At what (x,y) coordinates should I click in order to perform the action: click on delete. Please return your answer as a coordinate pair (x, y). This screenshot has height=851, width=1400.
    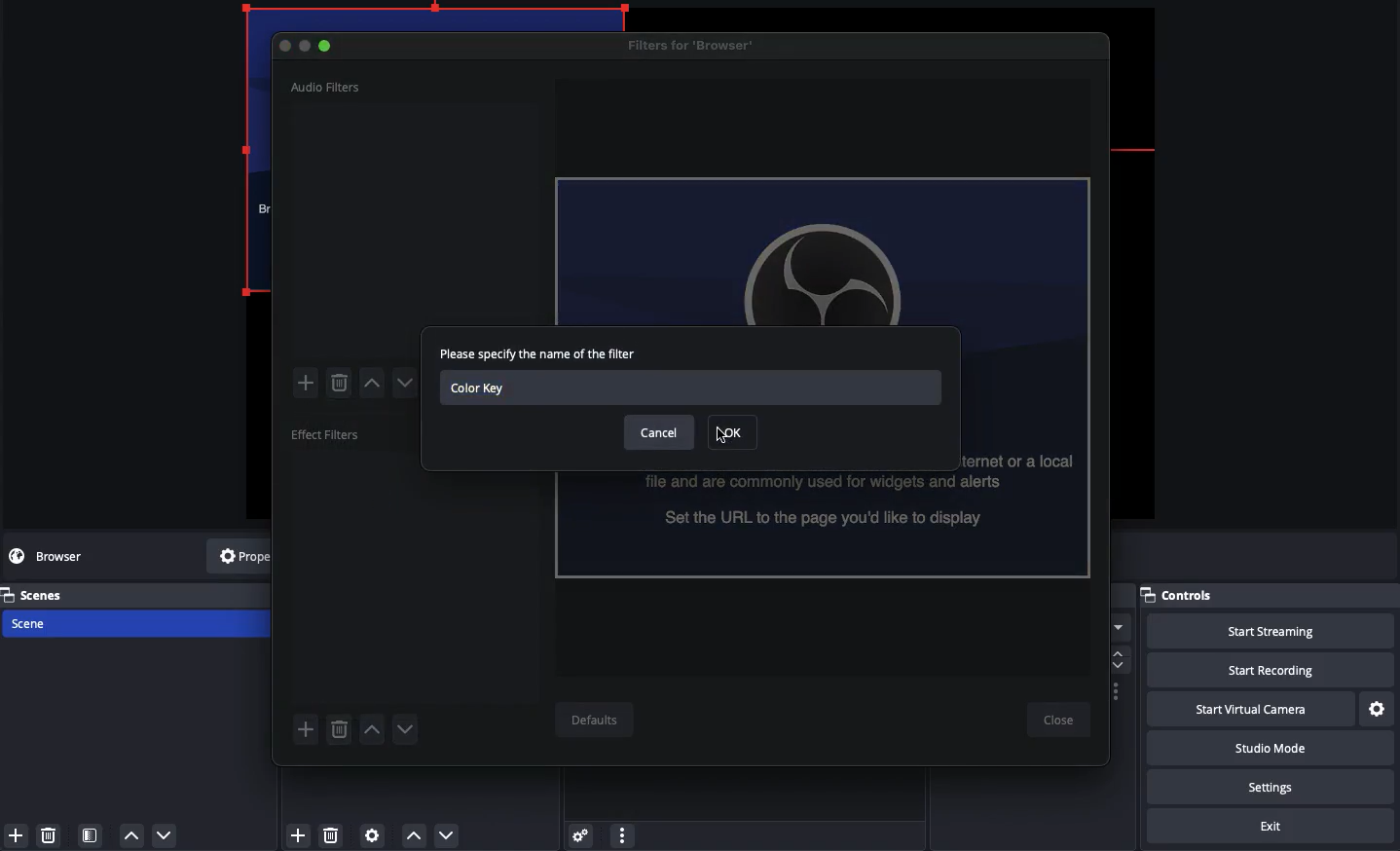
    Looking at the image, I should click on (52, 836).